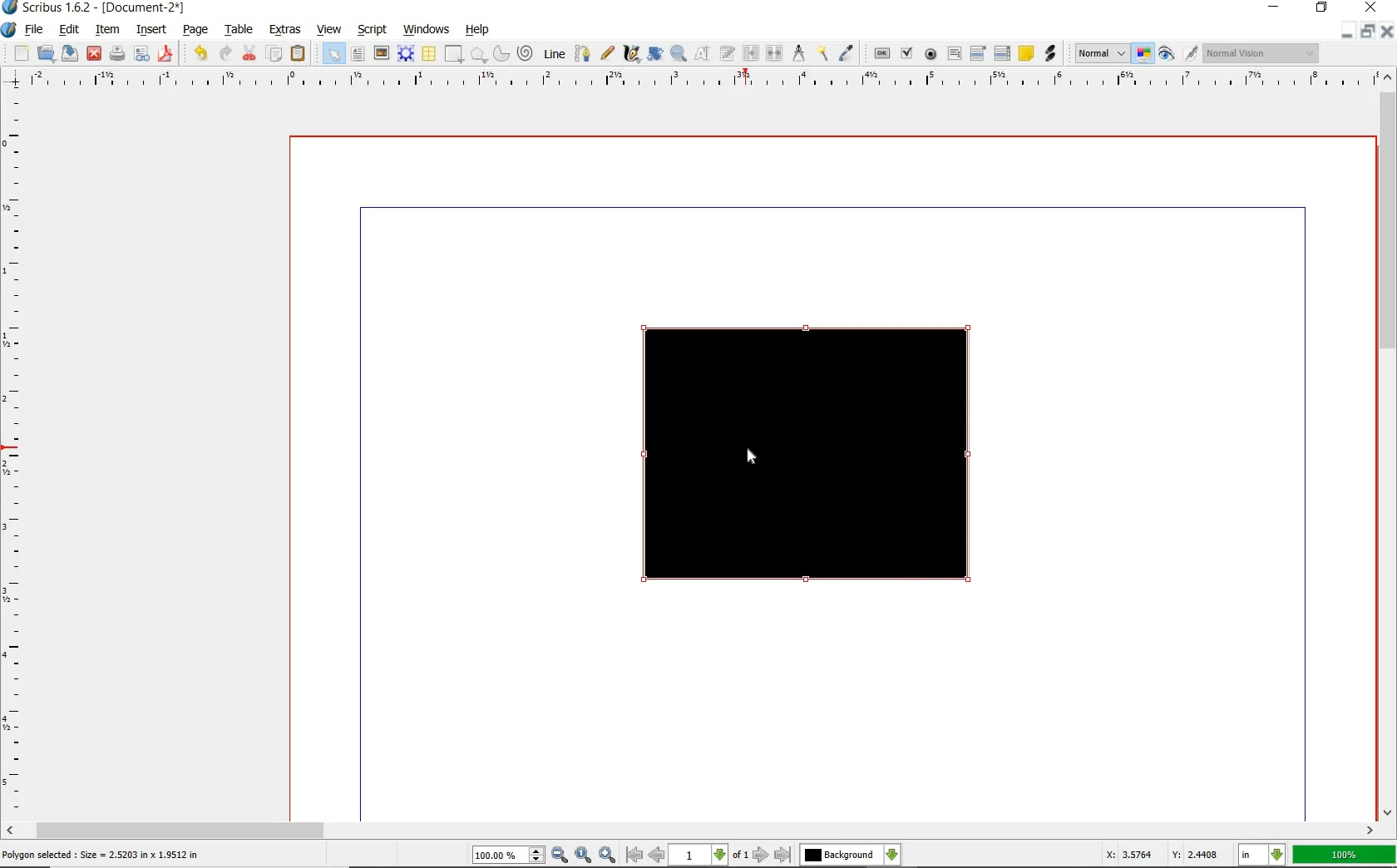 This screenshot has width=1397, height=868. What do you see at coordinates (1003, 52) in the screenshot?
I see `pdf list box` at bounding box center [1003, 52].